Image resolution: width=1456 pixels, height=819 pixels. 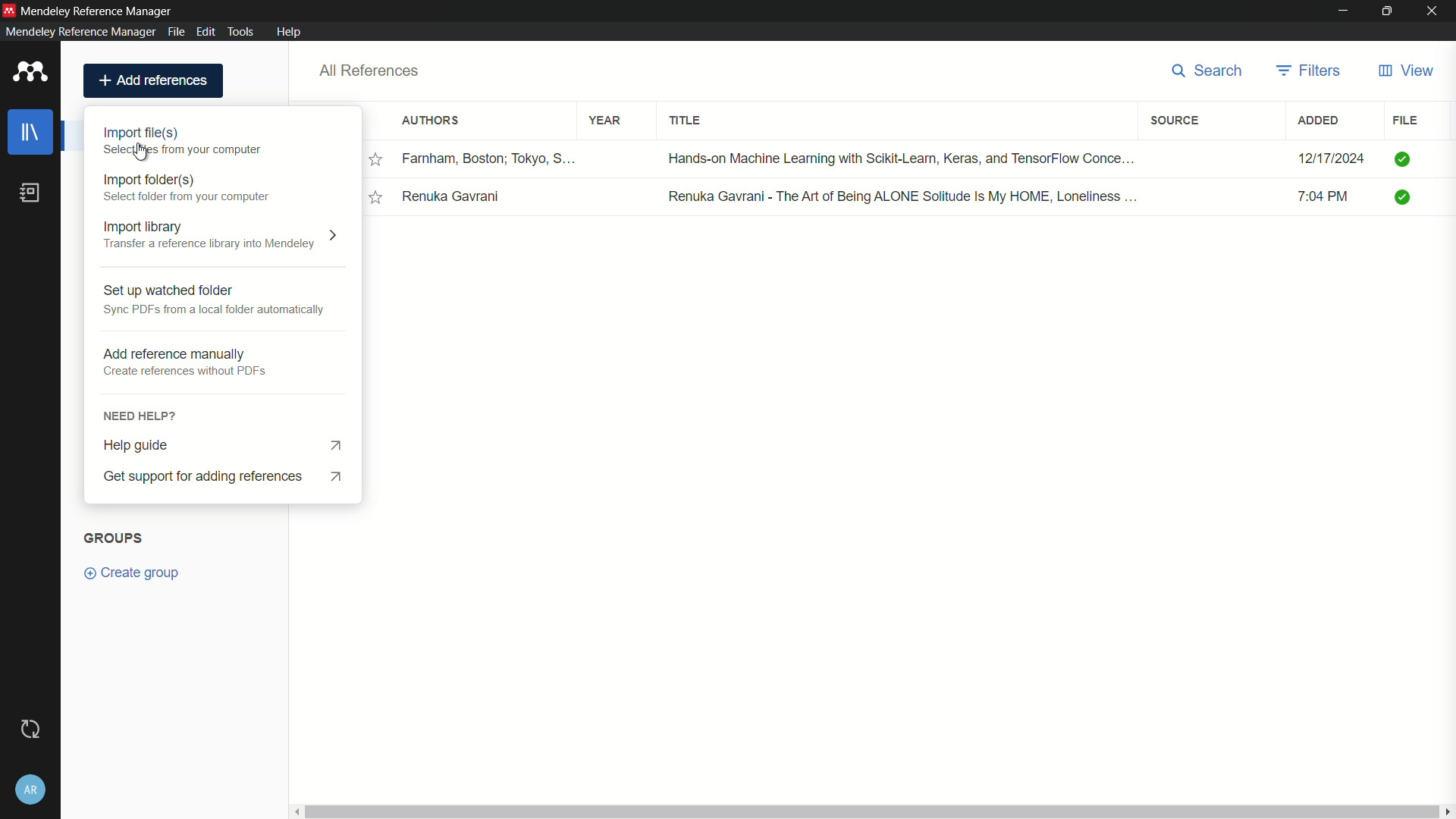 What do you see at coordinates (454, 197) in the screenshot?
I see `Renuka Gavrani` at bounding box center [454, 197].